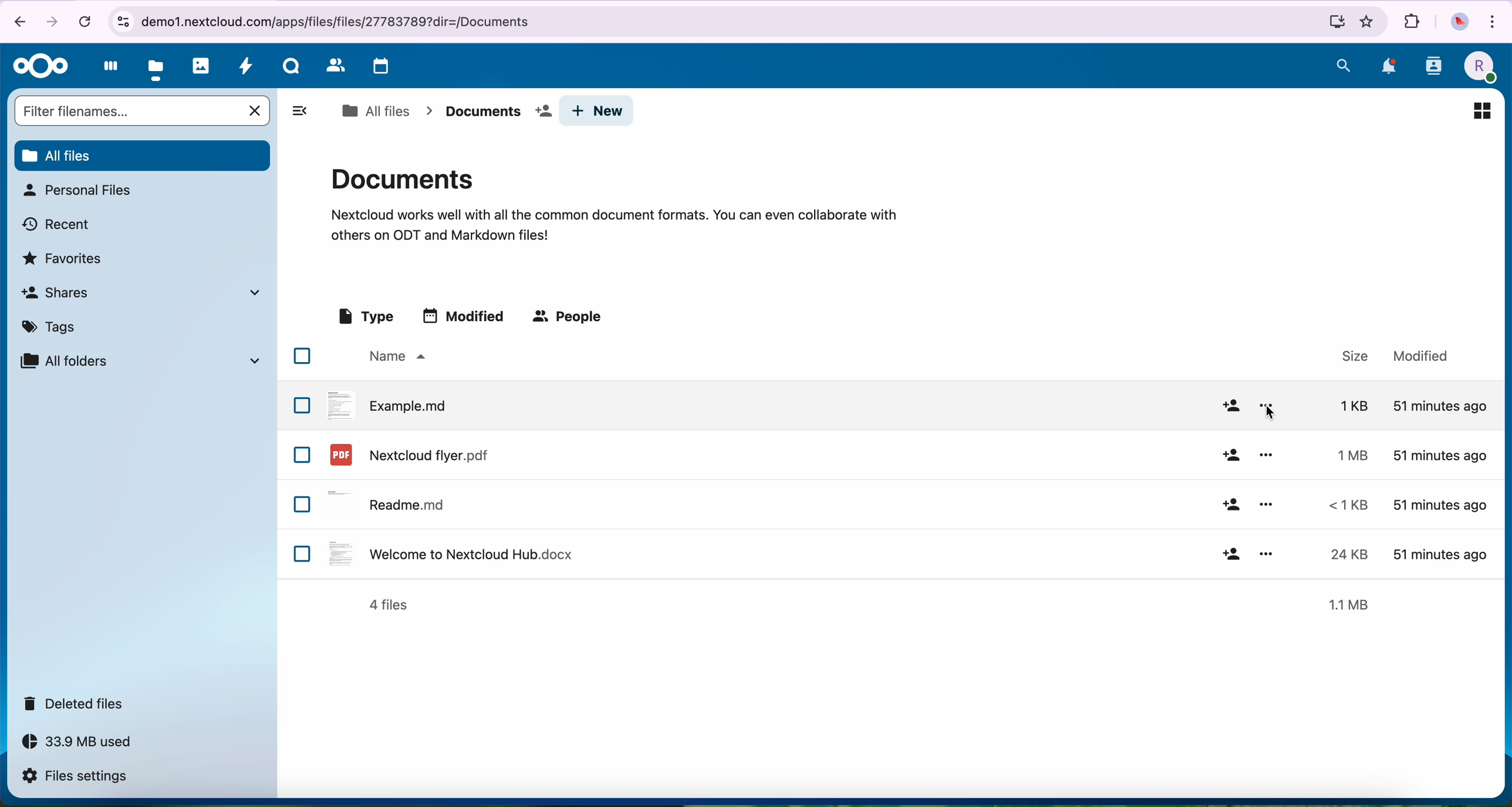  I want to click on all files button, so click(141, 154).